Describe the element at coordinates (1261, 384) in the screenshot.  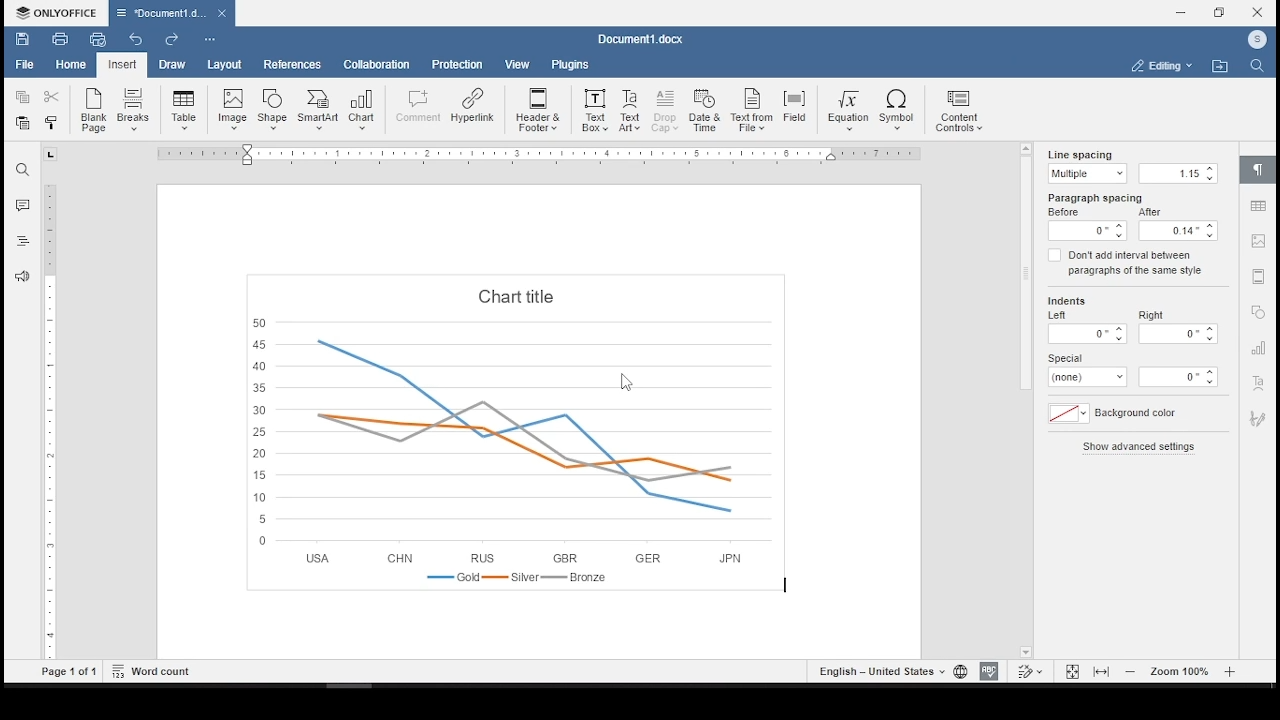
I see `text work settings` at that location.